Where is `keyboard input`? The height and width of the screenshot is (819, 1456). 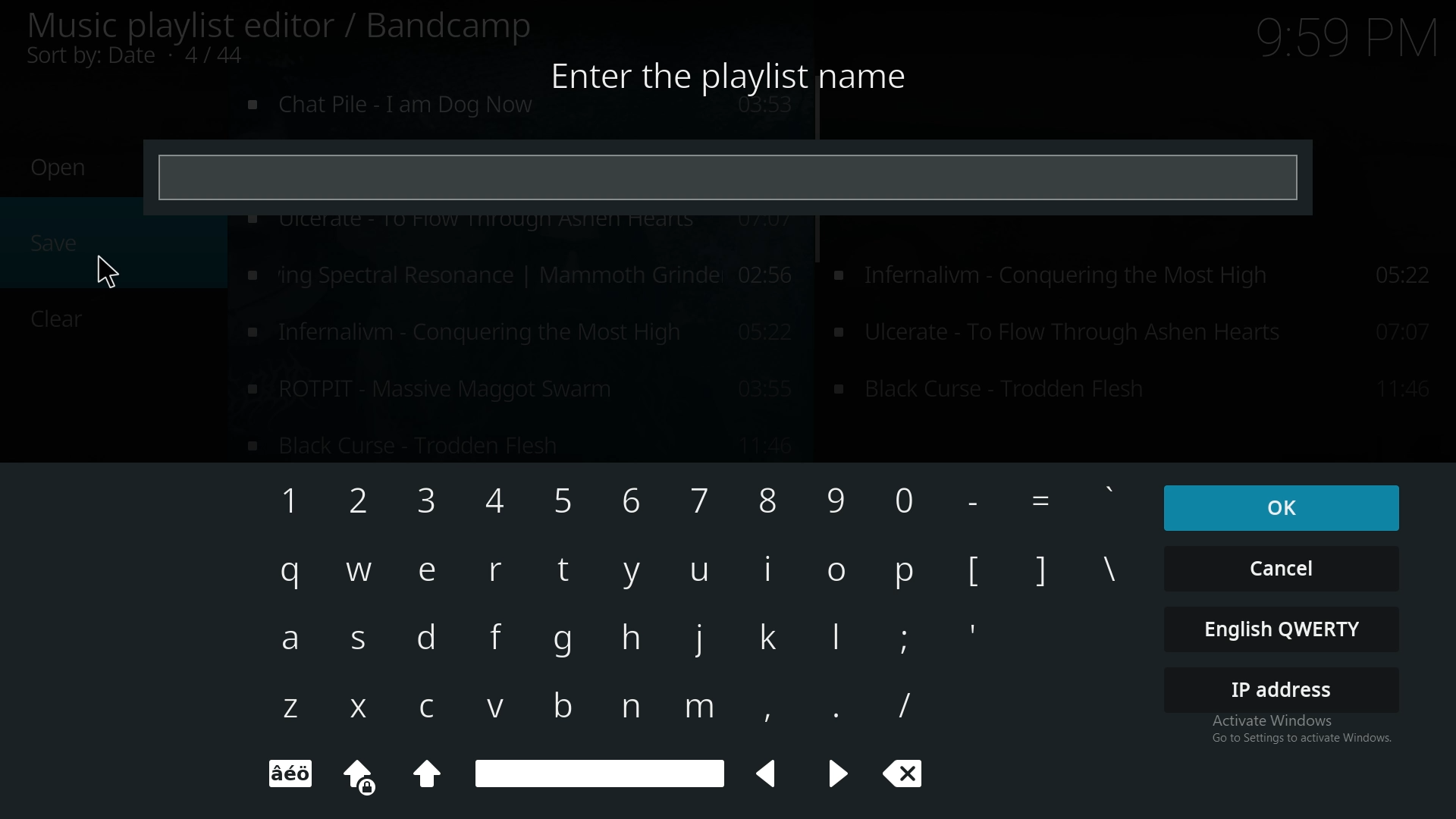 keyboard input is located at coordinates (635, 636).